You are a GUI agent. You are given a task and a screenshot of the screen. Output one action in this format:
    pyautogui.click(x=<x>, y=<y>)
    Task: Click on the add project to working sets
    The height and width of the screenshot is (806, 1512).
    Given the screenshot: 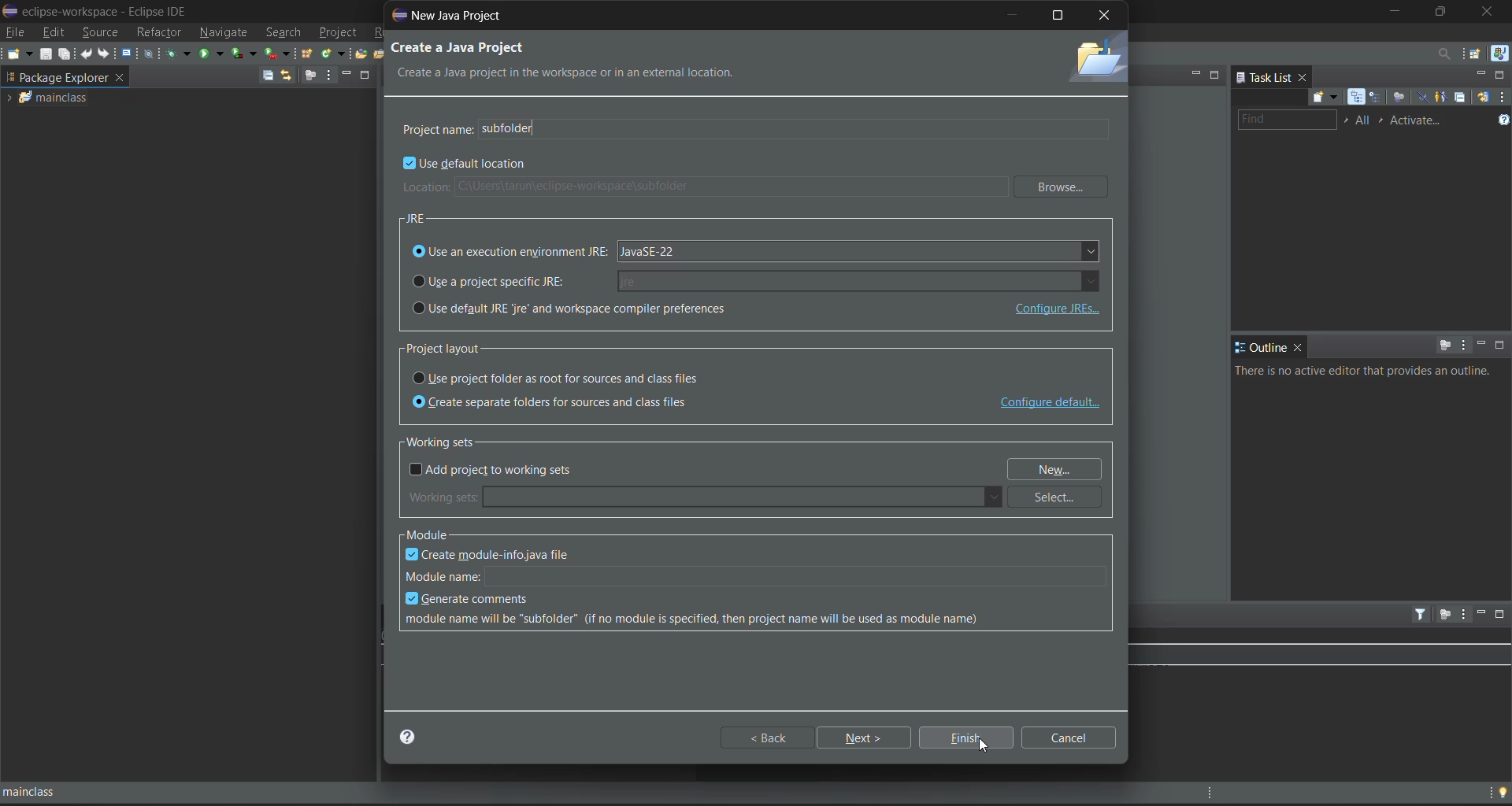 What is the action you would take?
    pyautogui.click(x=496, y=471)
    